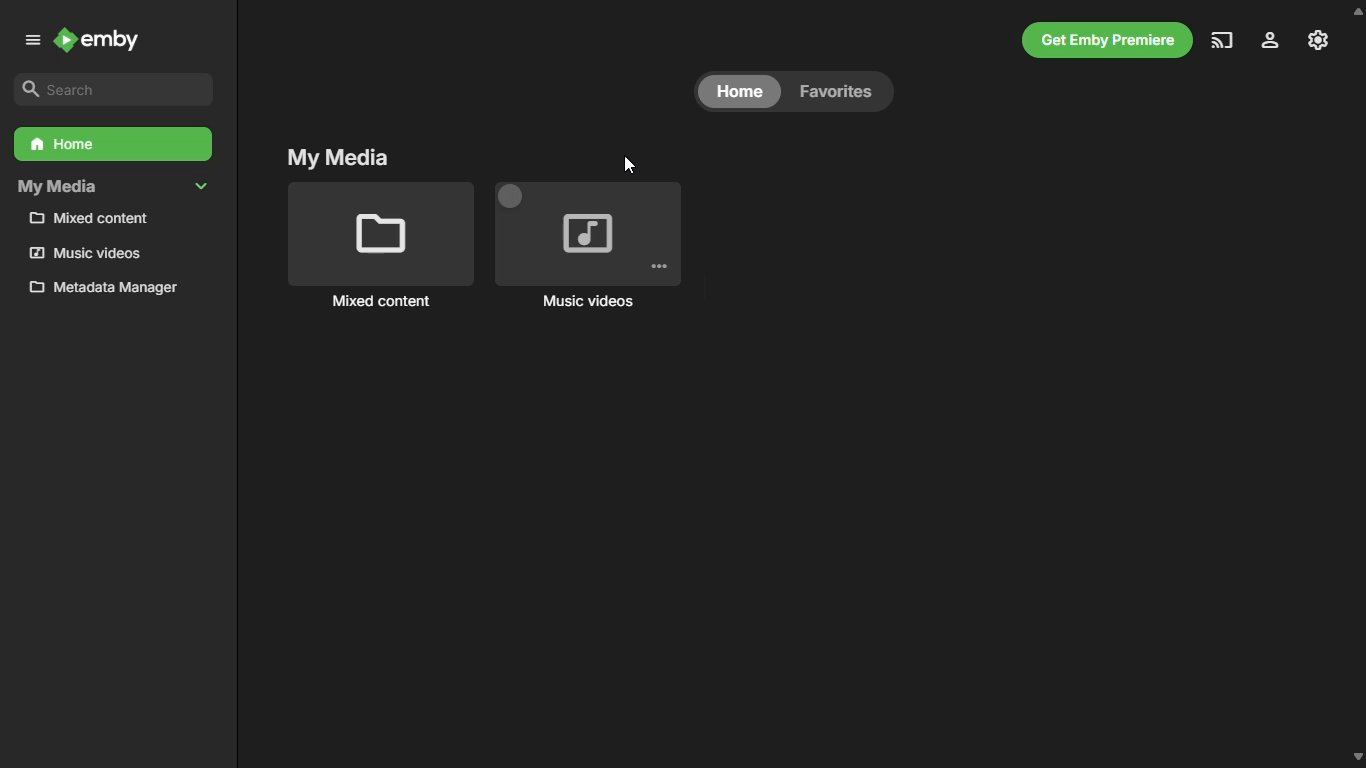 This screenshot has height=768, width=1366. What do you see at coordinates (84, 252) in the screenshot?
I see `music videos` at bounding box center [84, 252].